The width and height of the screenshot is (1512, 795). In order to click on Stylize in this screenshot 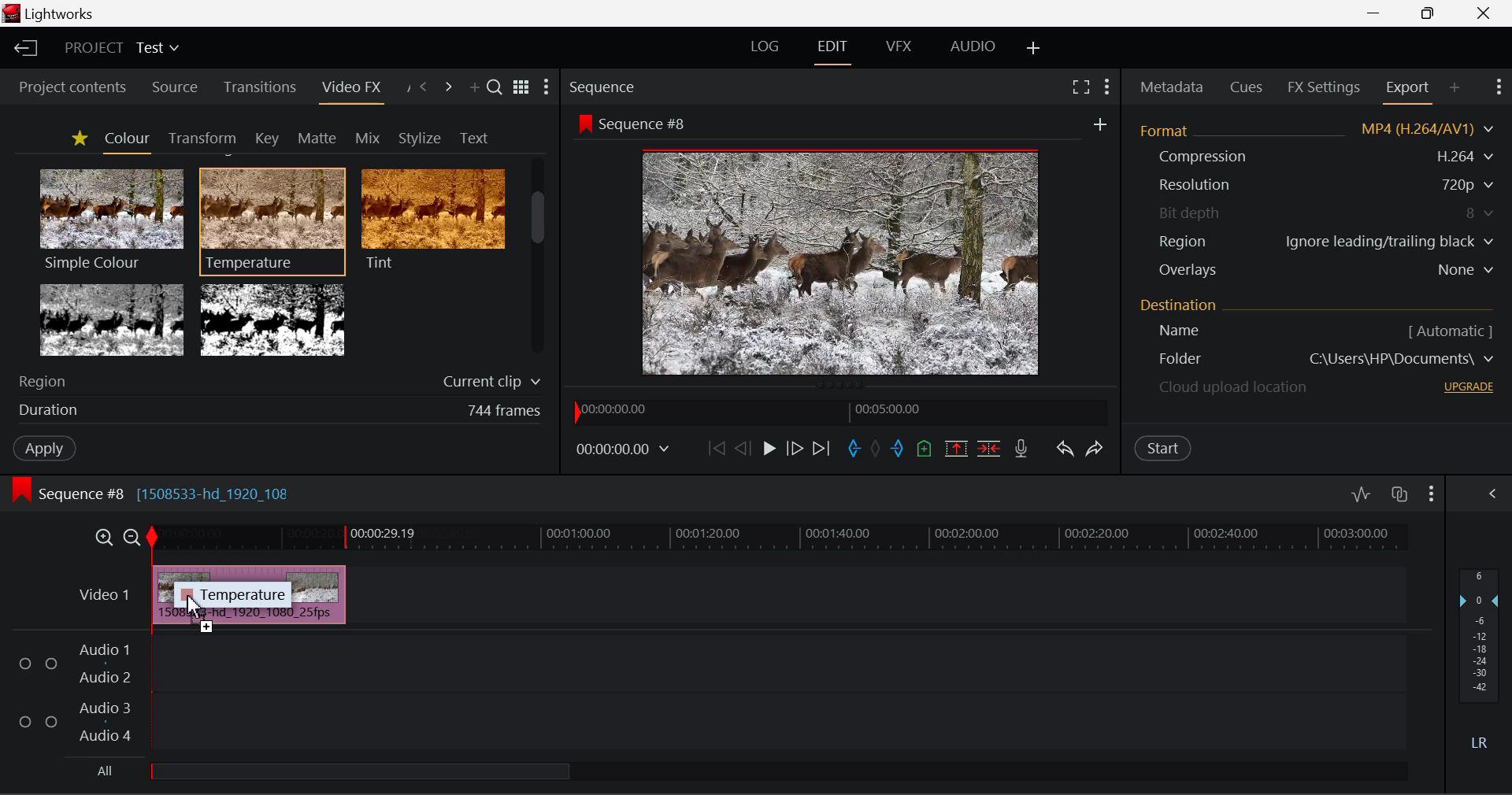, I will do `click(420, 136)`.